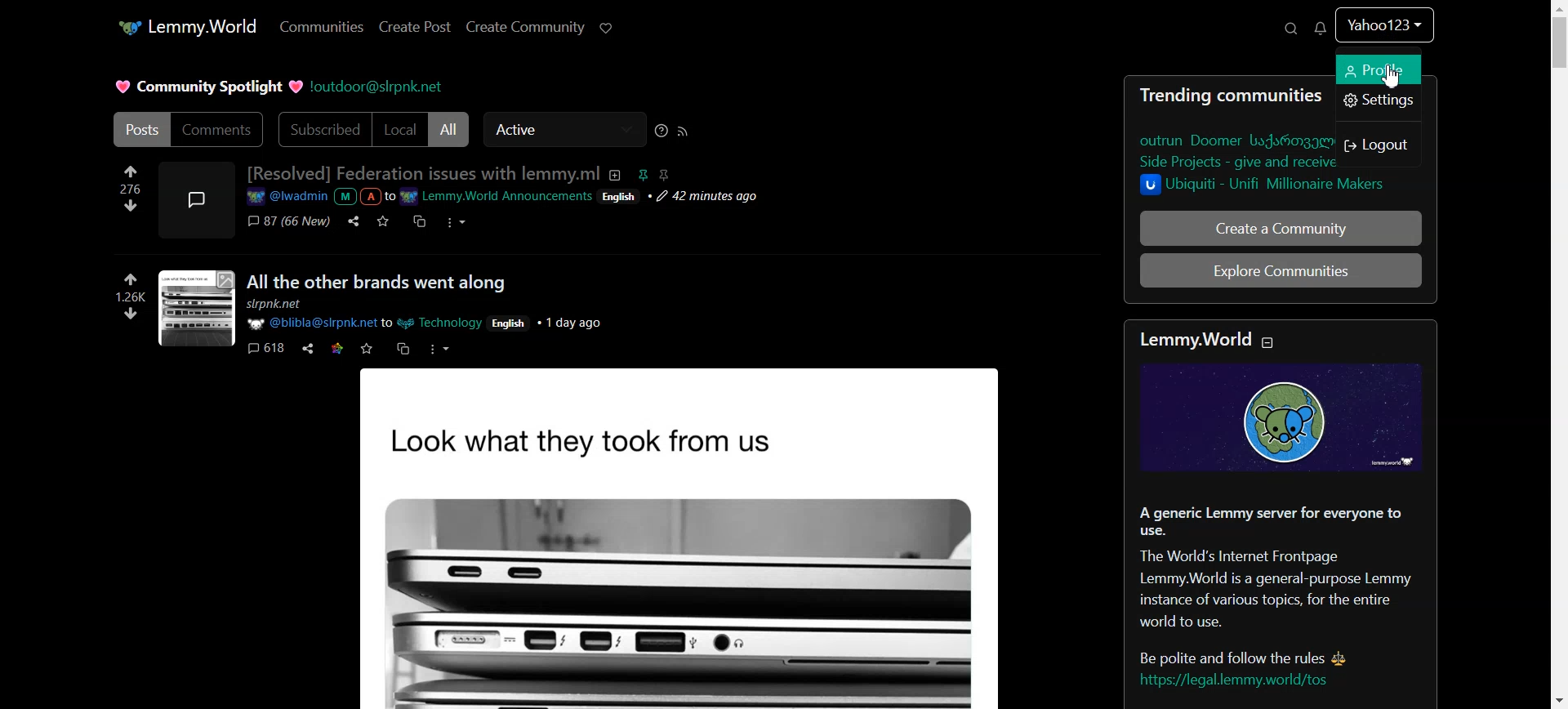 This screenshot has height=709, width=1568. I want to click on [Resolved] Federation issues with lemmy.ml, so click(422, 173).